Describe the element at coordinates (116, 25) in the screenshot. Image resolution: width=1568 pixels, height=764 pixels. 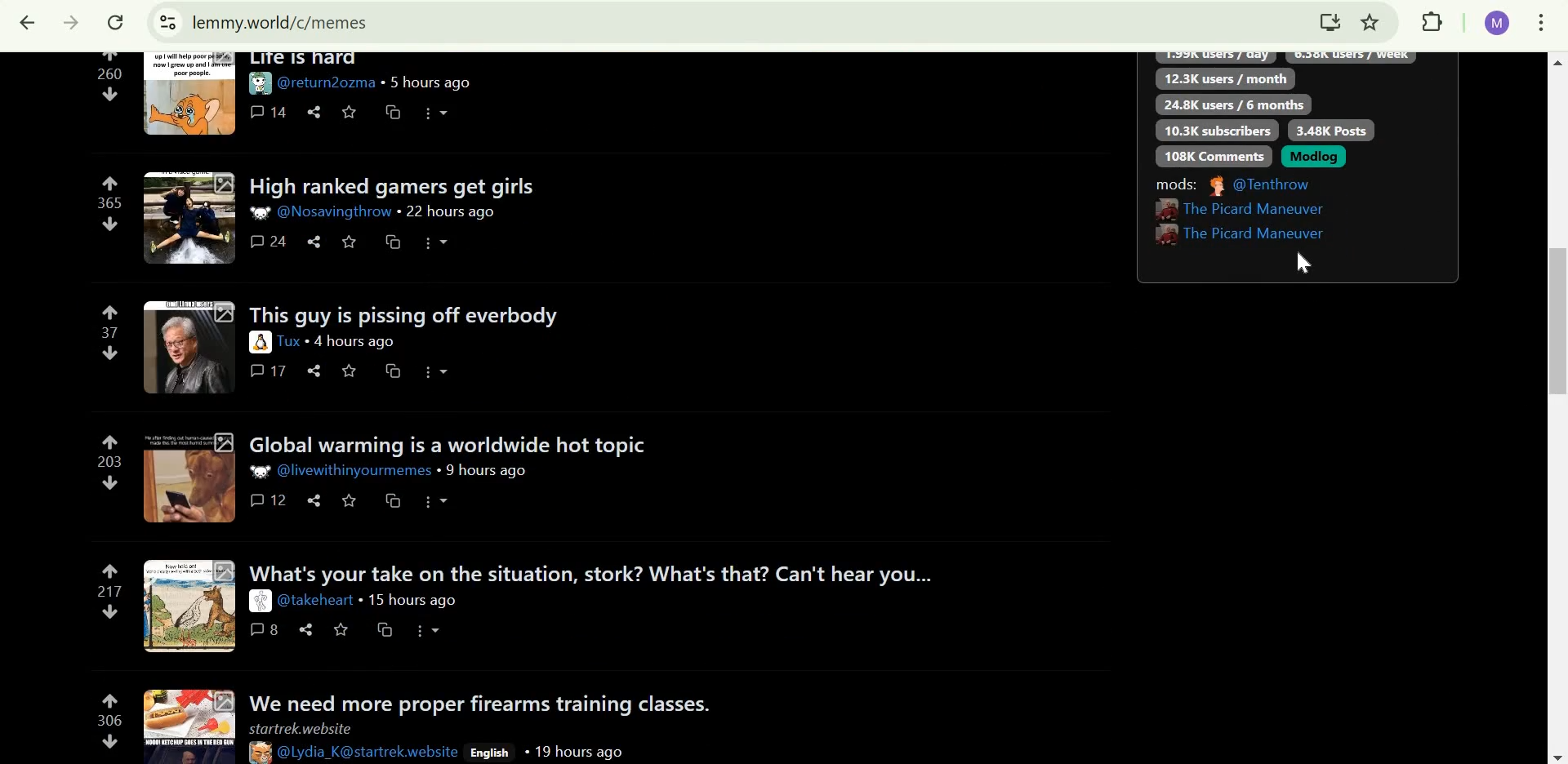
I see `reload this page` at that location.